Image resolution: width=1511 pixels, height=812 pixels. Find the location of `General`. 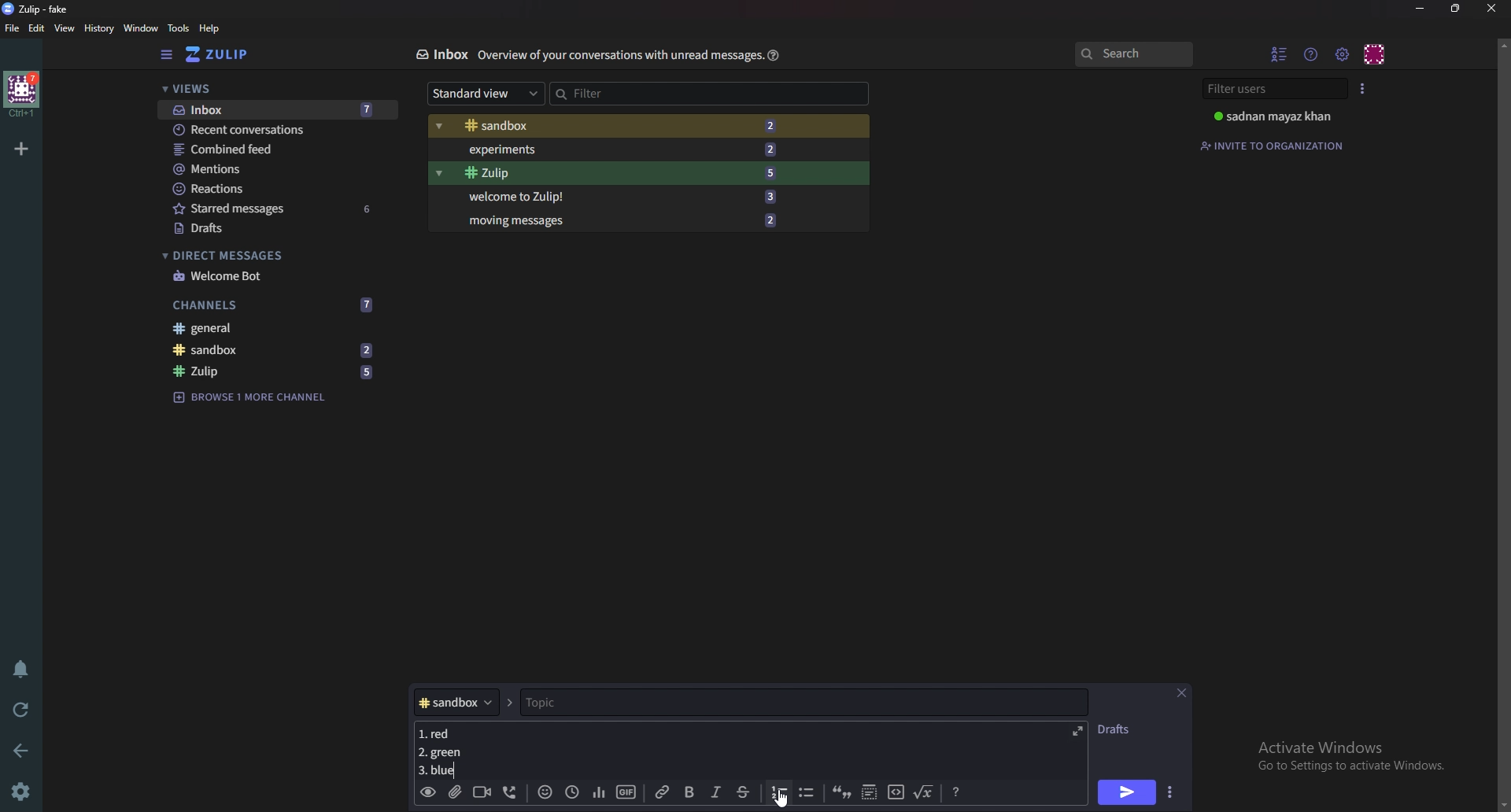

General is located at coordinates (275, 330).